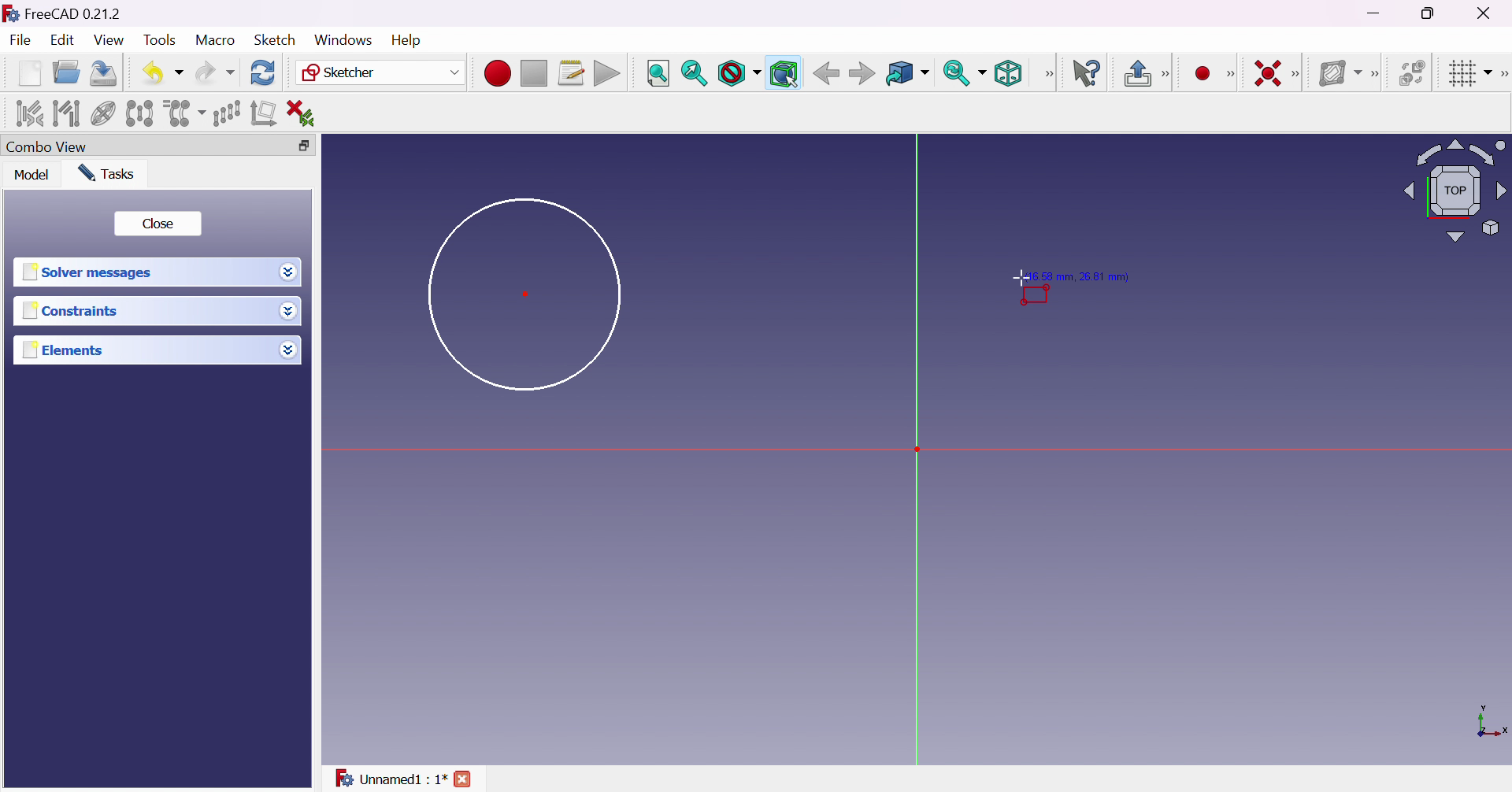  Describe the element at coordinates (390, 775) in the screenshot. I see `Unnamed : 1*` at that location.